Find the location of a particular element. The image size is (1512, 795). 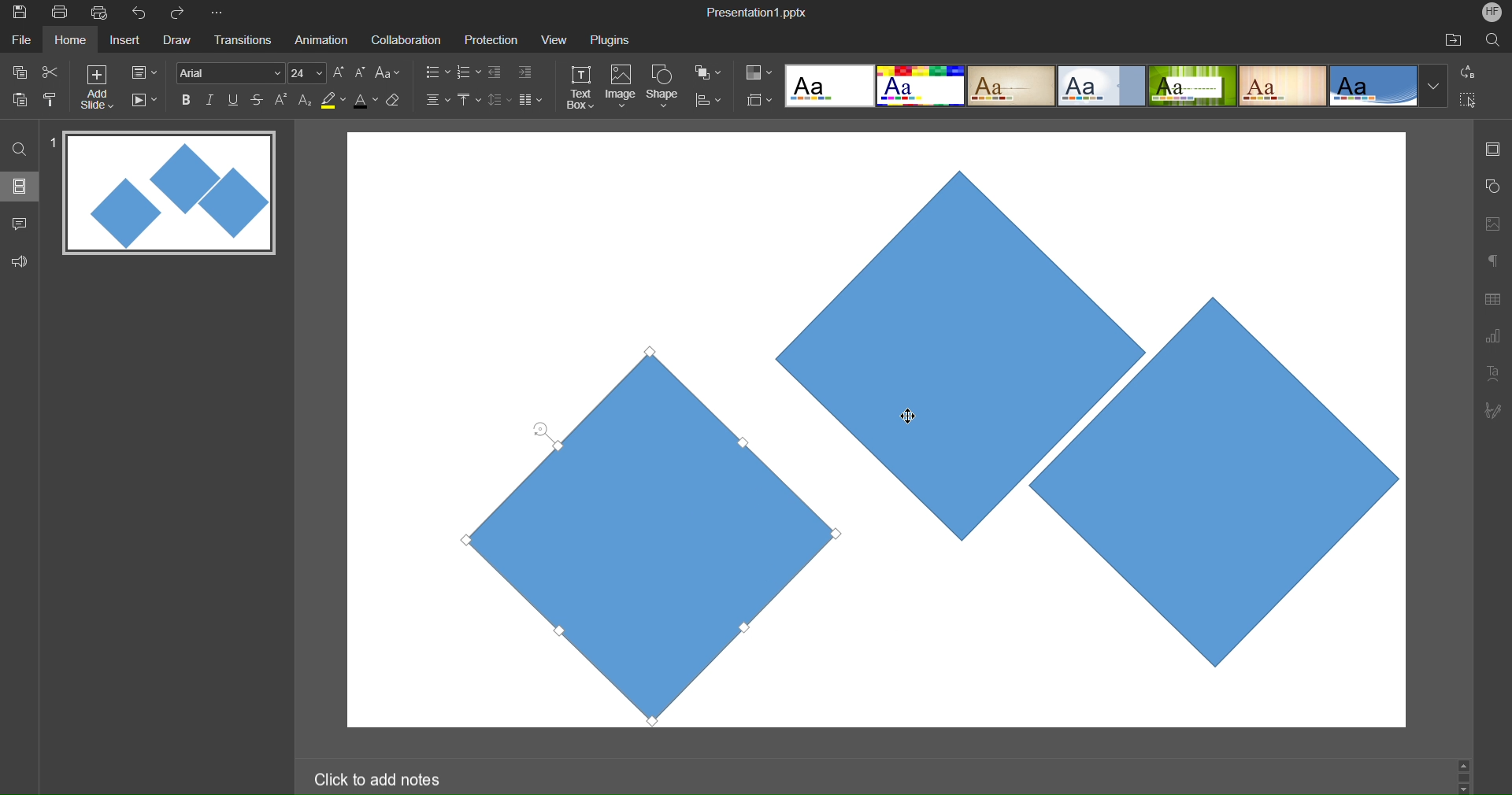

View slides is located at coordinates (19, 185).